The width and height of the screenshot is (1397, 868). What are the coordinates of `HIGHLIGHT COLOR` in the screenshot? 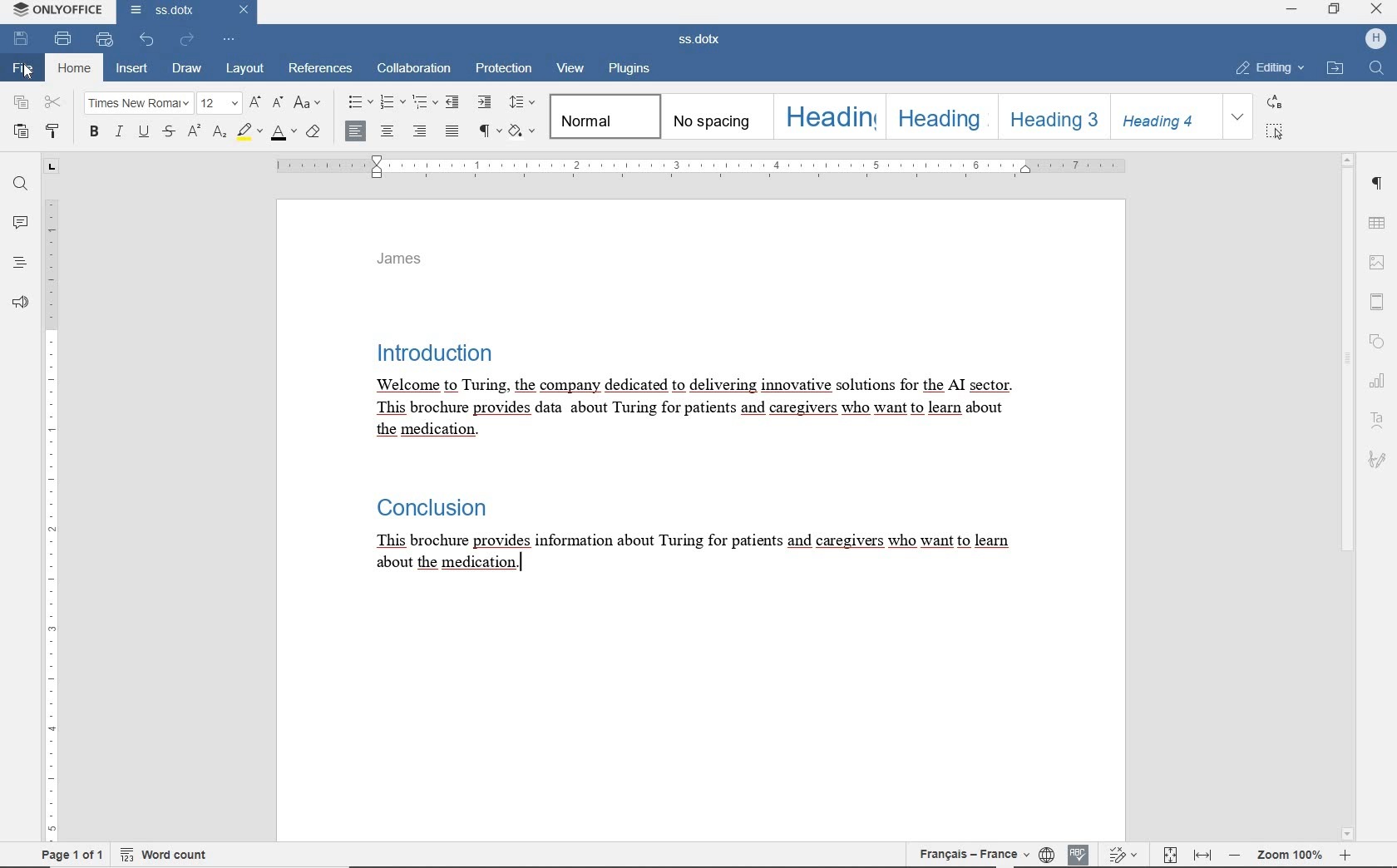 It's located at (249, 133).